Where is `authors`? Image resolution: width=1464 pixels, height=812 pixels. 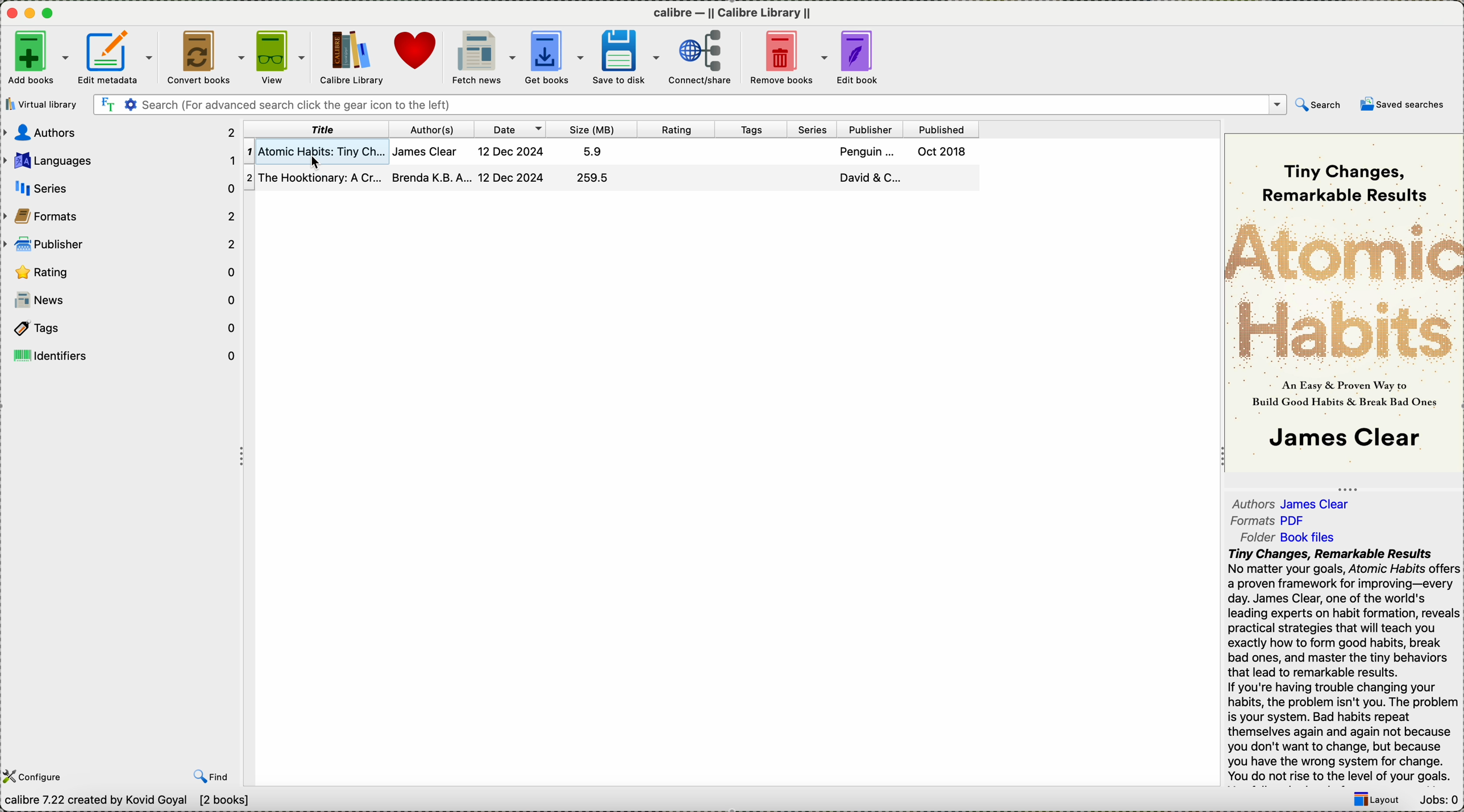
authors is located at coordinates (118, 134).